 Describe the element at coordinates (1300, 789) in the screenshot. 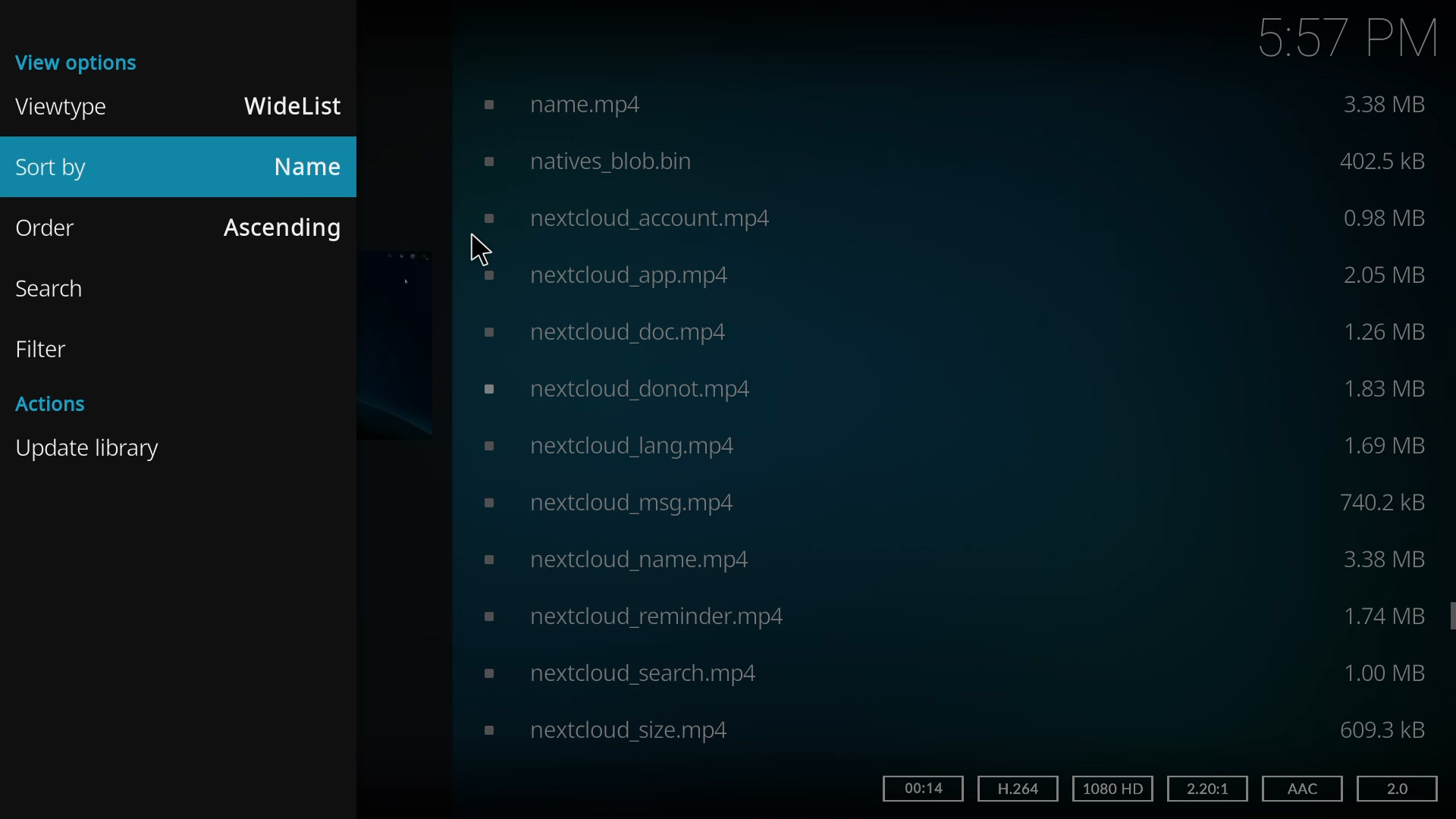

I see `aac` at that location.